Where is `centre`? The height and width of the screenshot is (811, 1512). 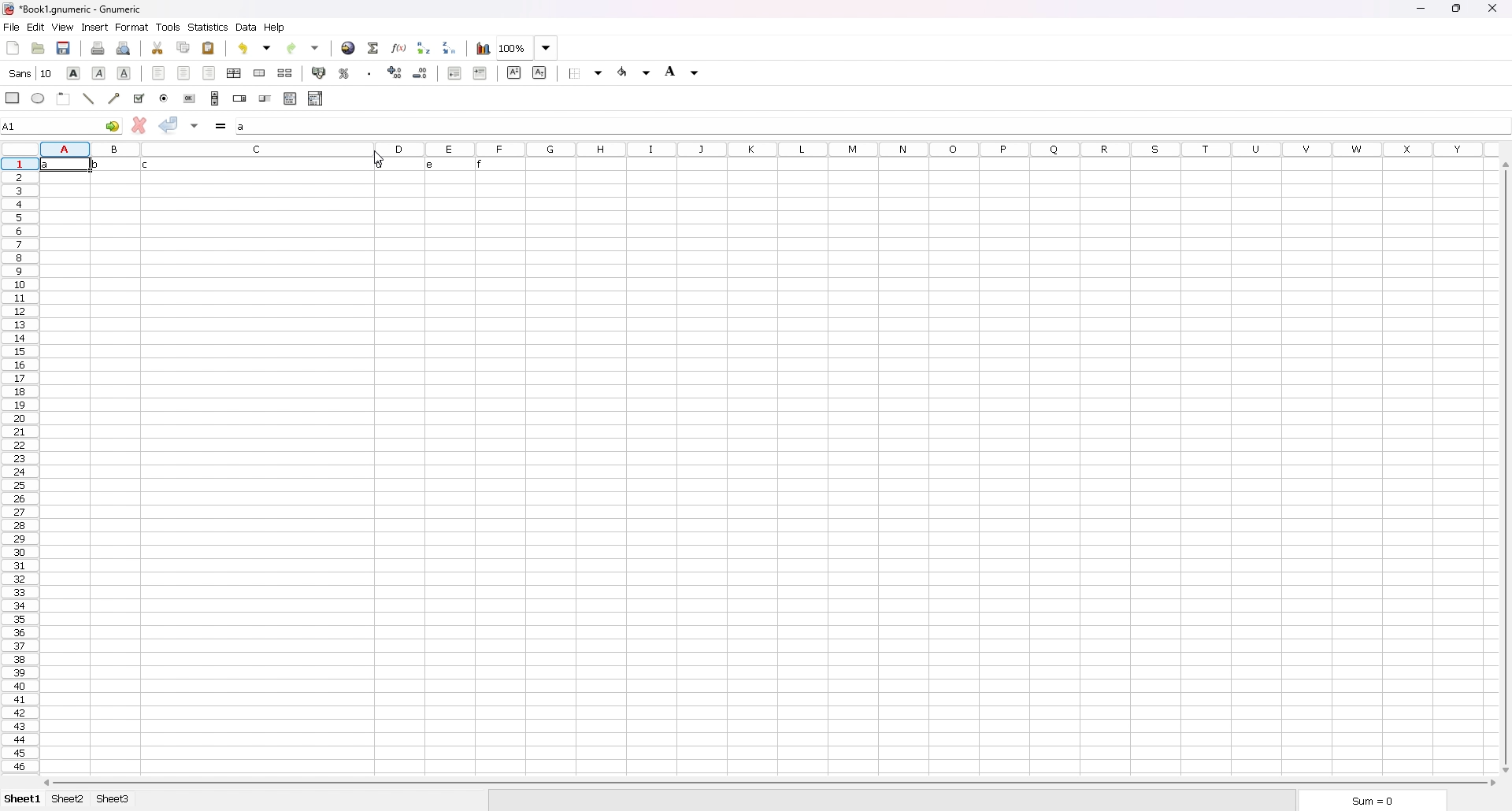
centre is located at coordinates (183, 72).